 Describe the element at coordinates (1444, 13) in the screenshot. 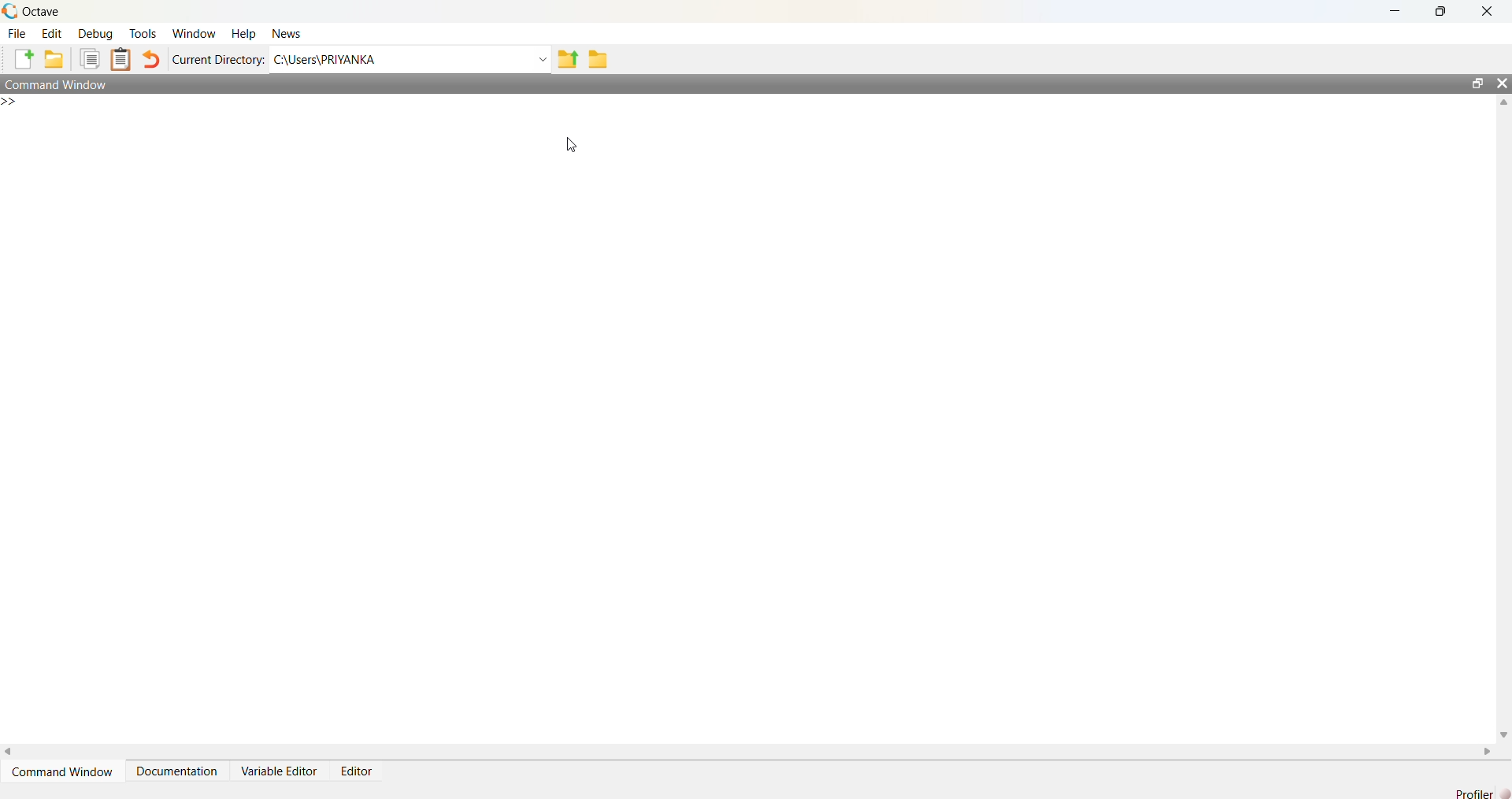

I see `Maximize / Restore` at that location.